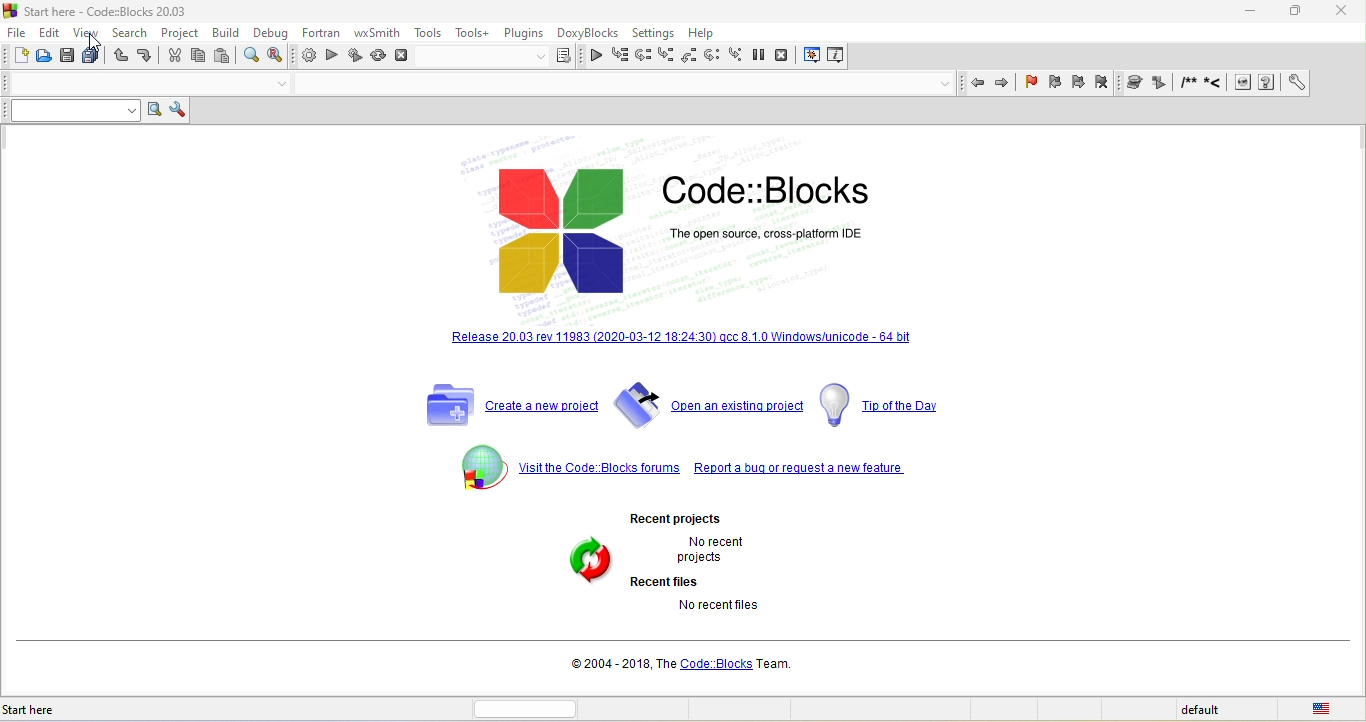 The height and width of the screenshot is (722, 1366). Describe the element at coordinates (584, 562) in the screenshot. I see `recent file and project` at that location.